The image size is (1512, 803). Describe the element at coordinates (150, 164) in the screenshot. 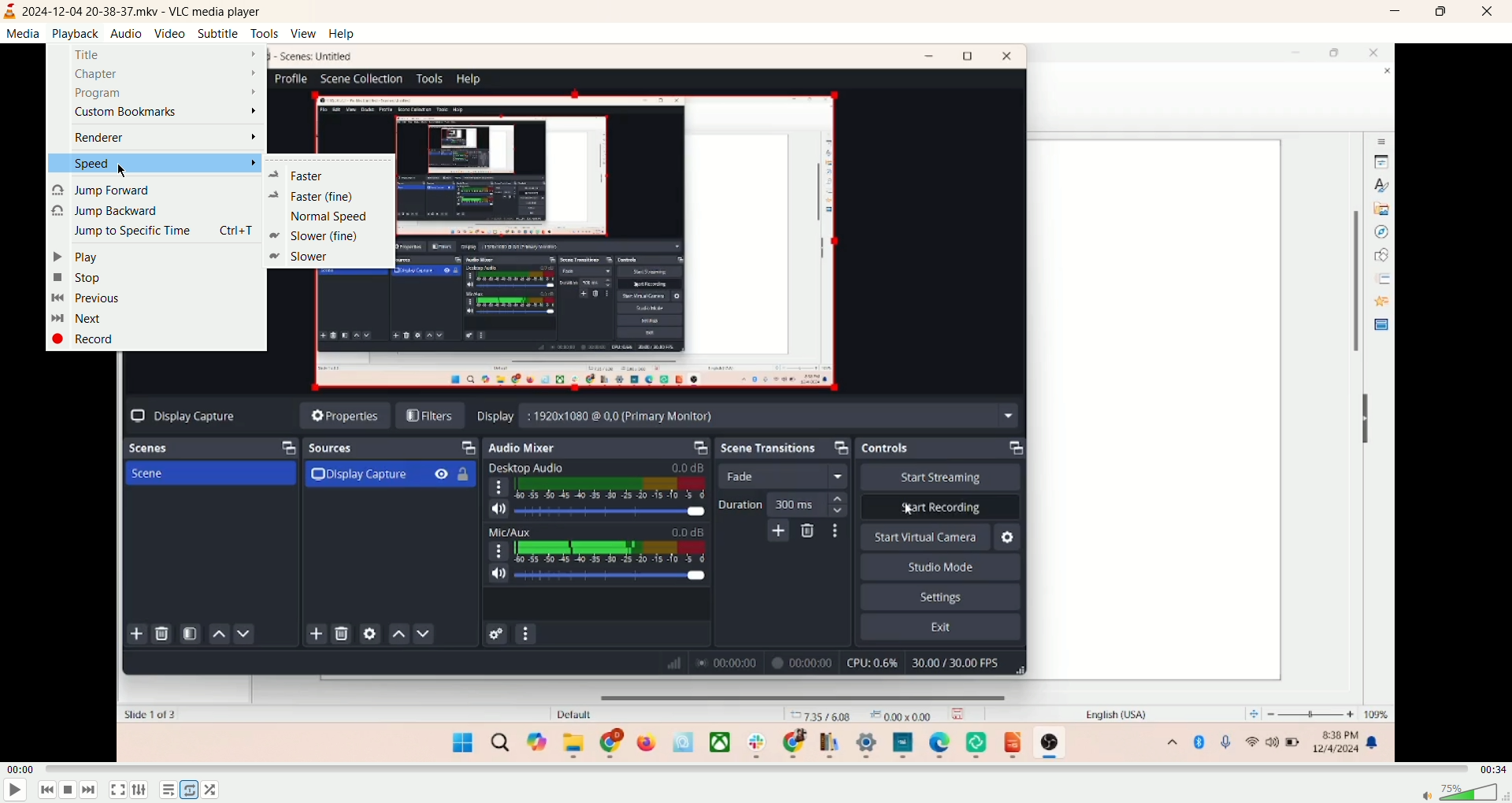

I see `speed` at that location.